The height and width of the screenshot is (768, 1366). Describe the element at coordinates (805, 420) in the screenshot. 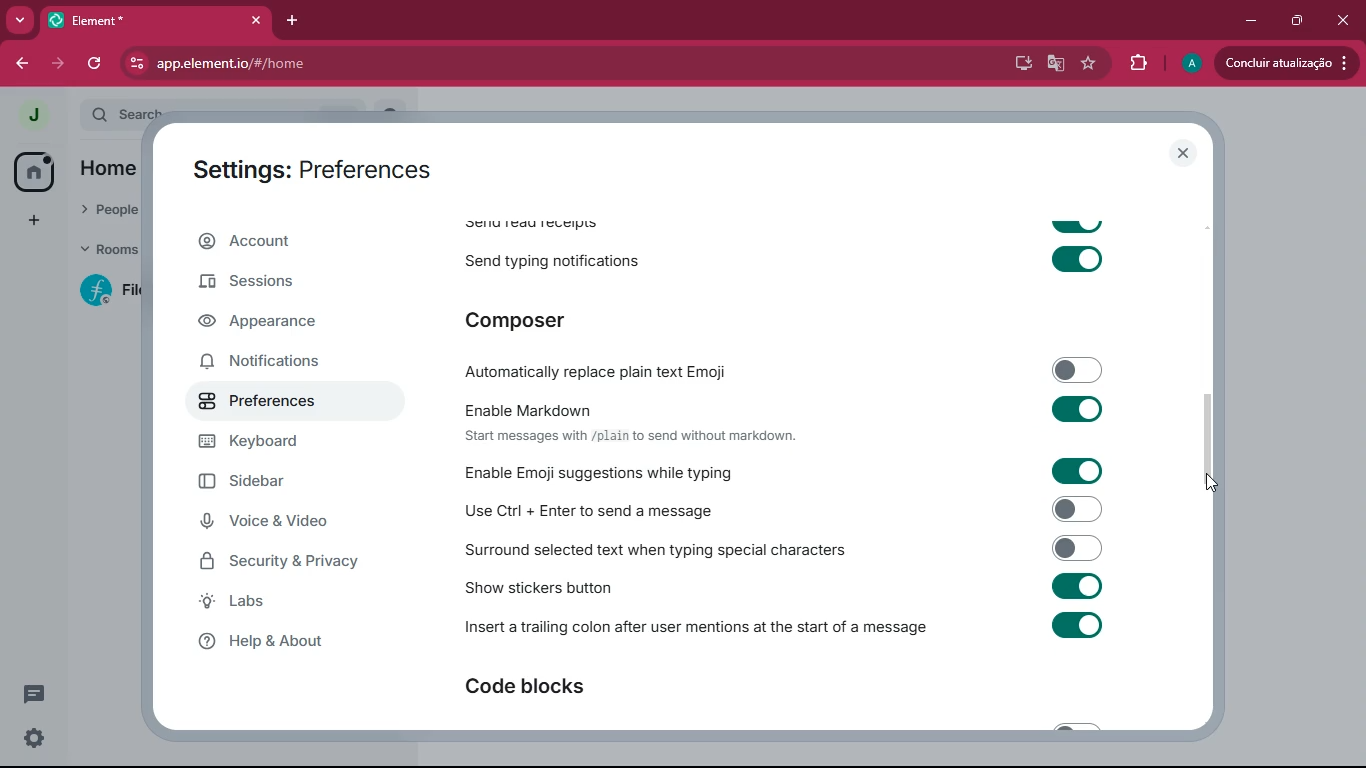

I see `enable markdown` at that location.